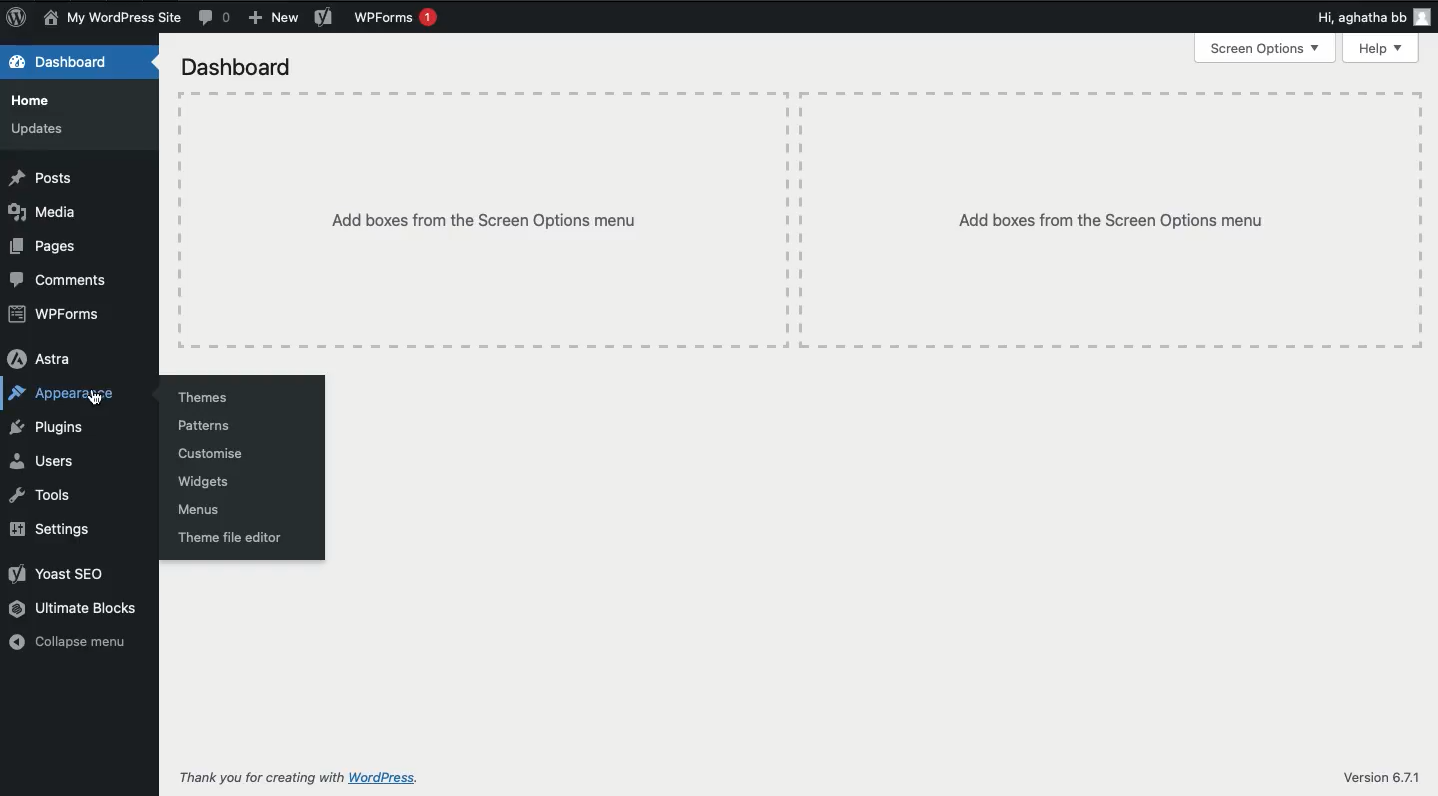 This screenshot has height=796, width=1438. What do you see at coordinates (207, 482) in the screenshot?
I see `Widgets` at bounding box center [207, 482].